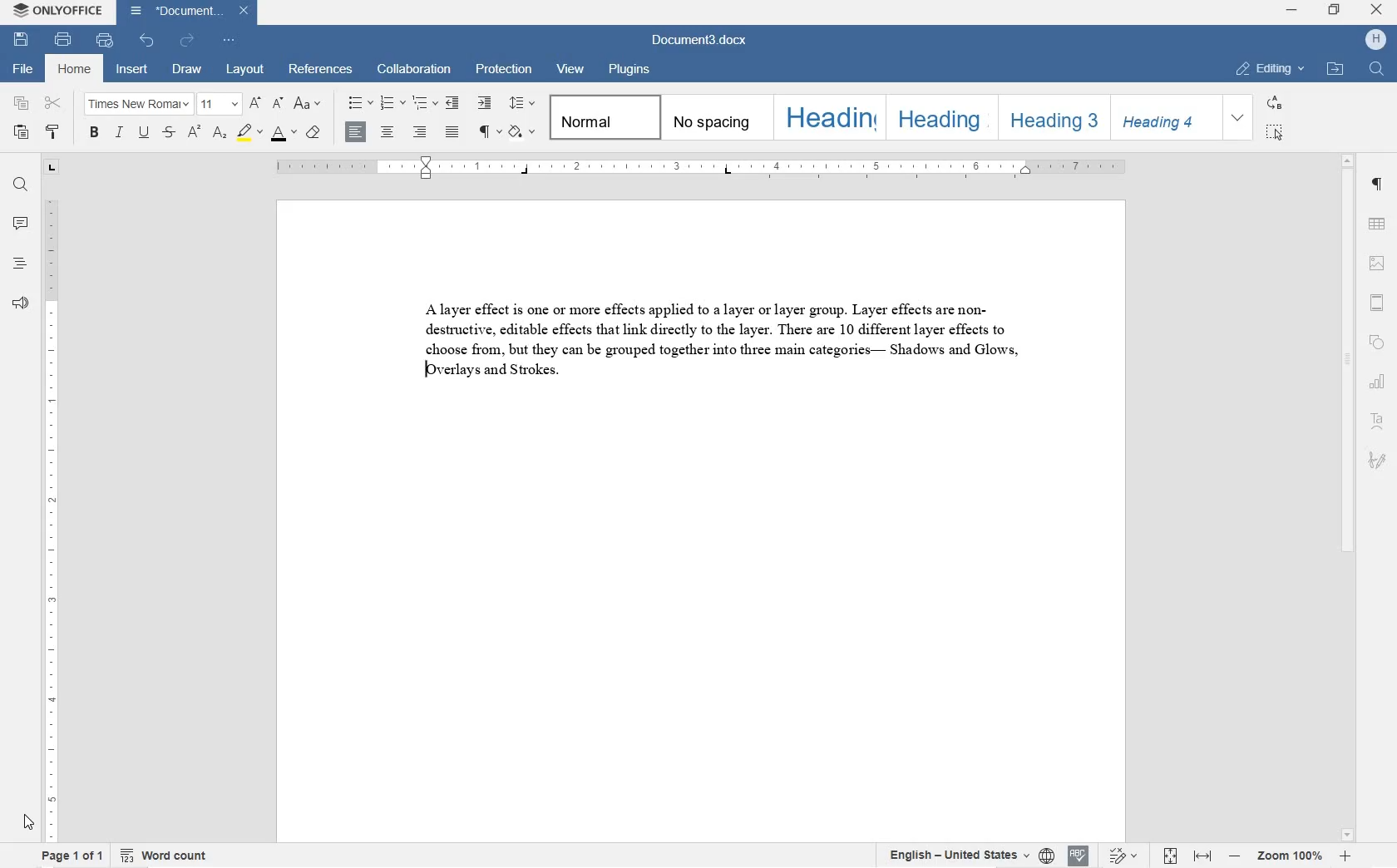 Image resolution: width=1397 pixels, height=868 pixels. What do you see at coordinates (453, 131) in the screenshot?
I see `JUSTIFIED` at bounding box center [453, 131].